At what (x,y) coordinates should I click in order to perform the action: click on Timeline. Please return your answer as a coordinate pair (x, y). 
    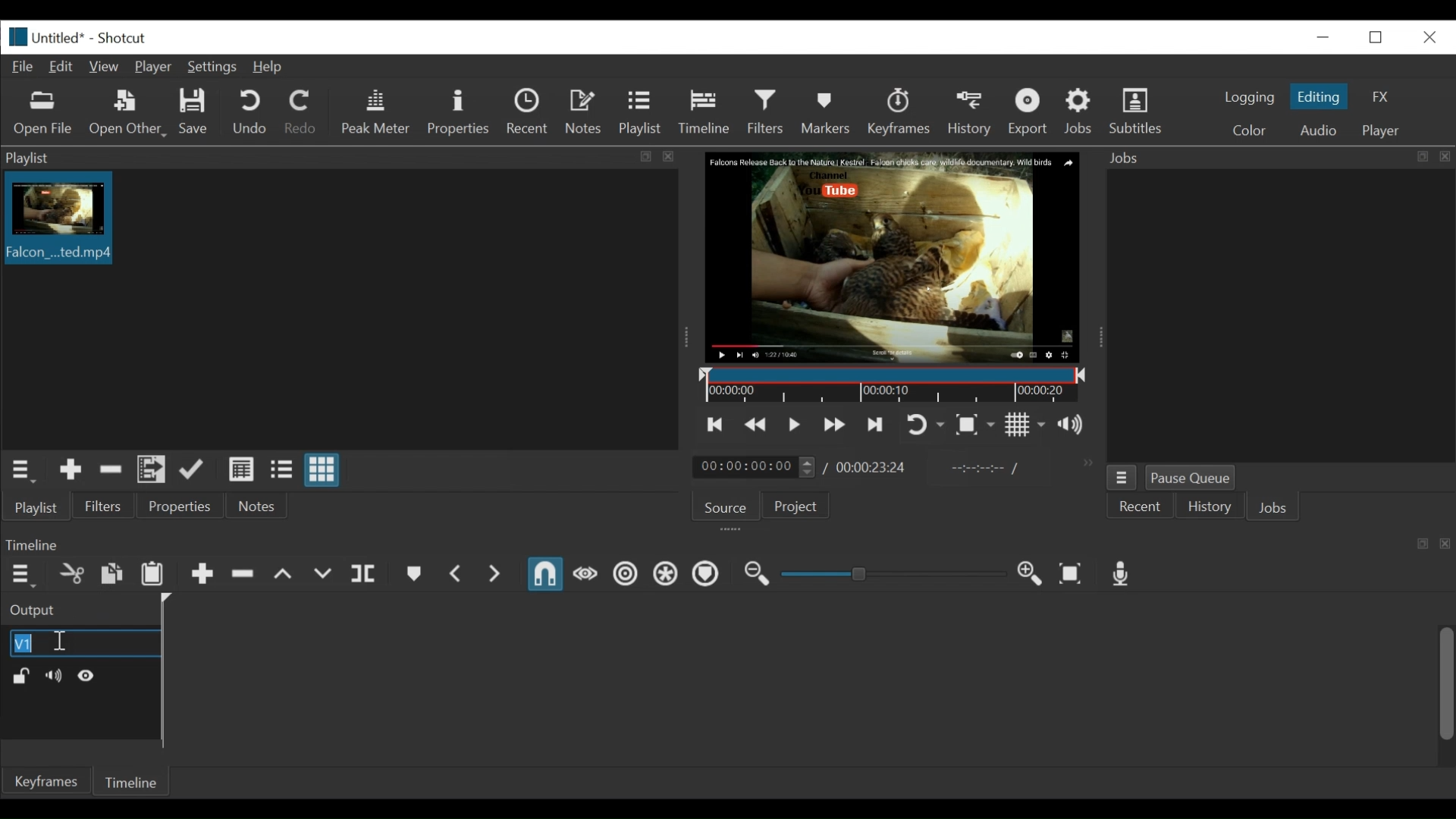
    Looking at the image, I should click on (127, 783).